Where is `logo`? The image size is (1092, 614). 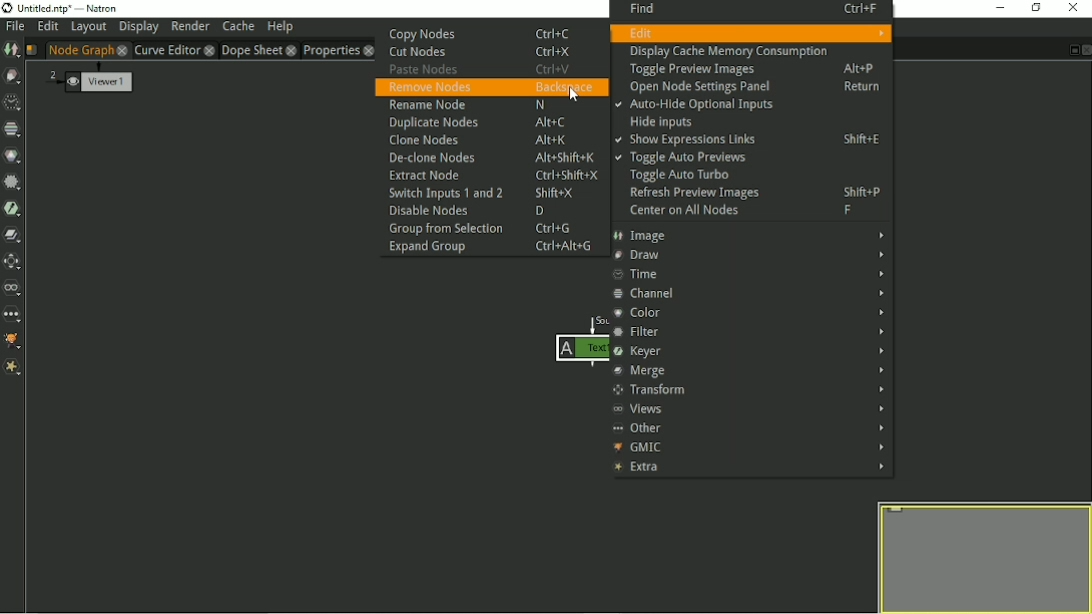 logo is located at coordinates (7, 9).